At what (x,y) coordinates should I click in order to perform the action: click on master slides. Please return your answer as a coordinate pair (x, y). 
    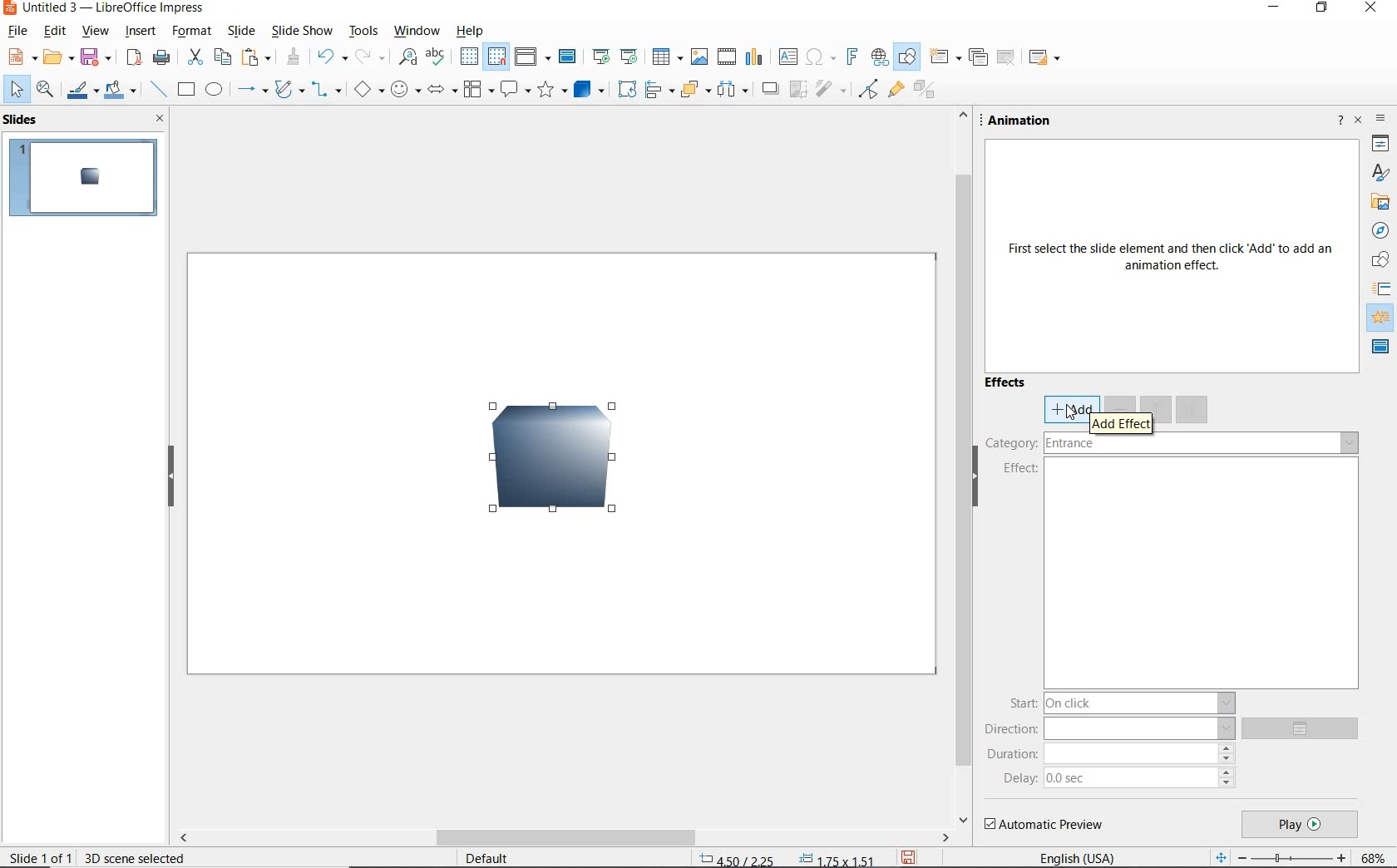
    Looking at the image, I should click on (1381, 348).